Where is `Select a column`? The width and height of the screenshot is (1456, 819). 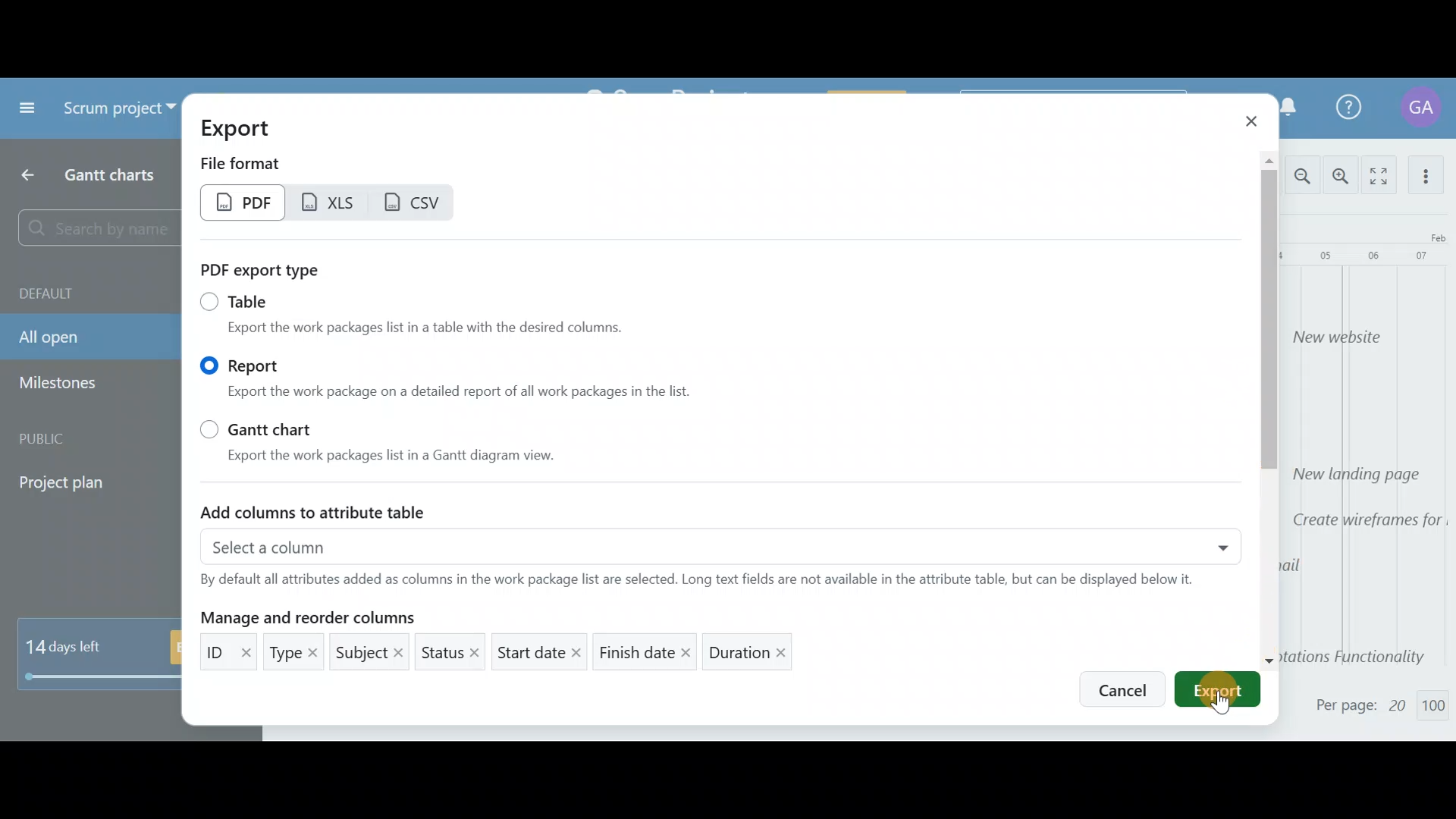
Select a column is located at coordinates (717, 545).